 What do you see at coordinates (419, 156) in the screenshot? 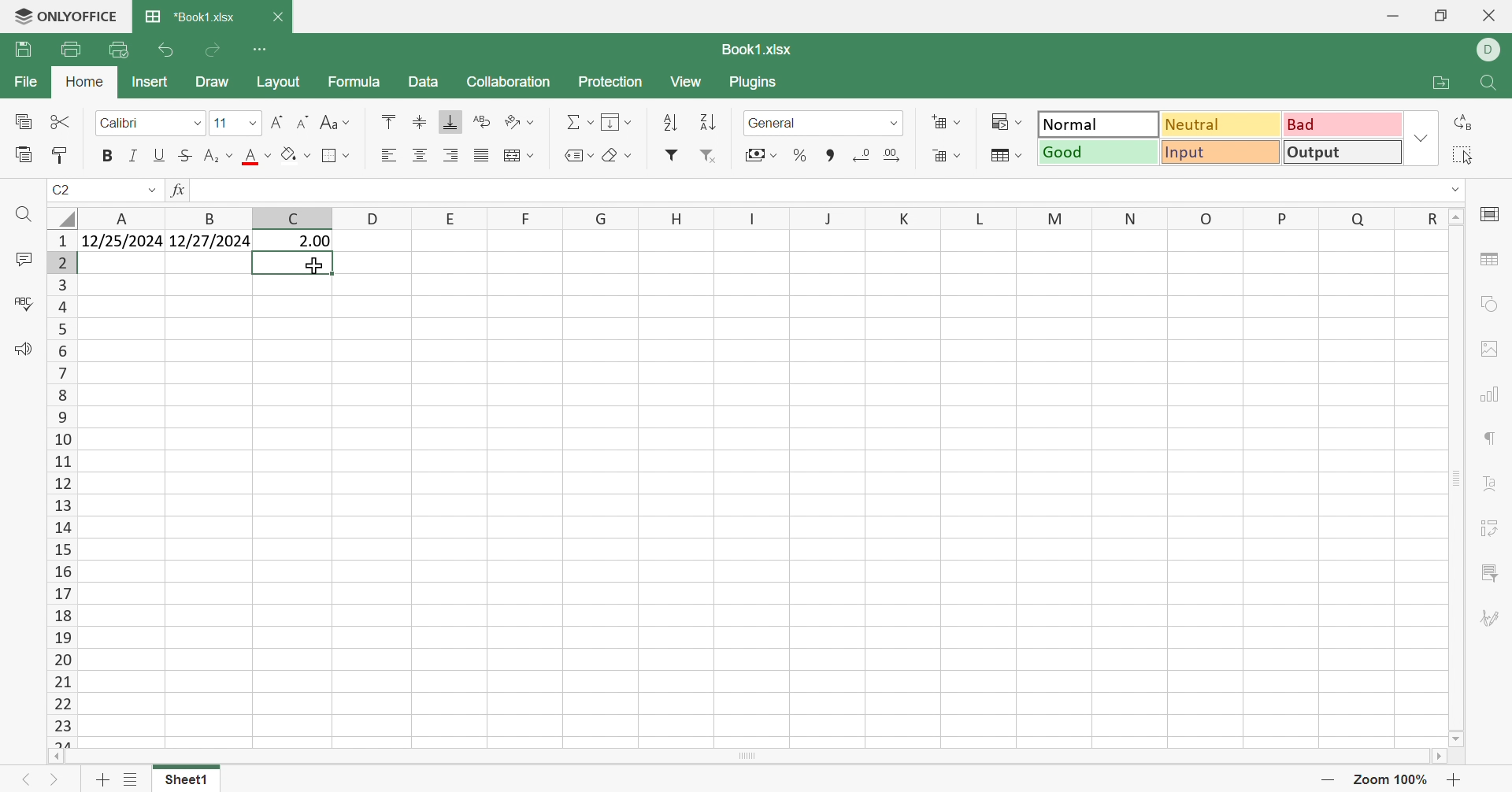
I see `Align center` at bounding box center [419, 156].